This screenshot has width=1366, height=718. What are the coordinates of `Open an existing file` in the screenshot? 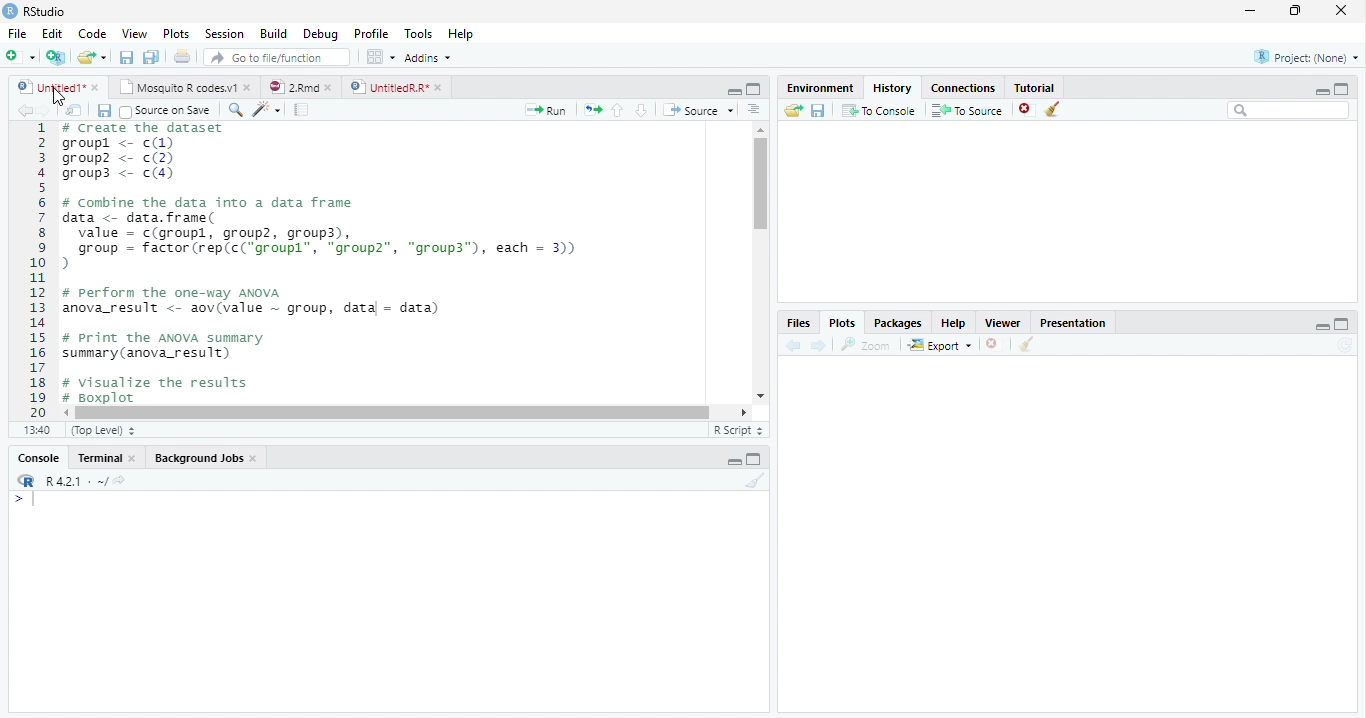 It's located at (92, 57).